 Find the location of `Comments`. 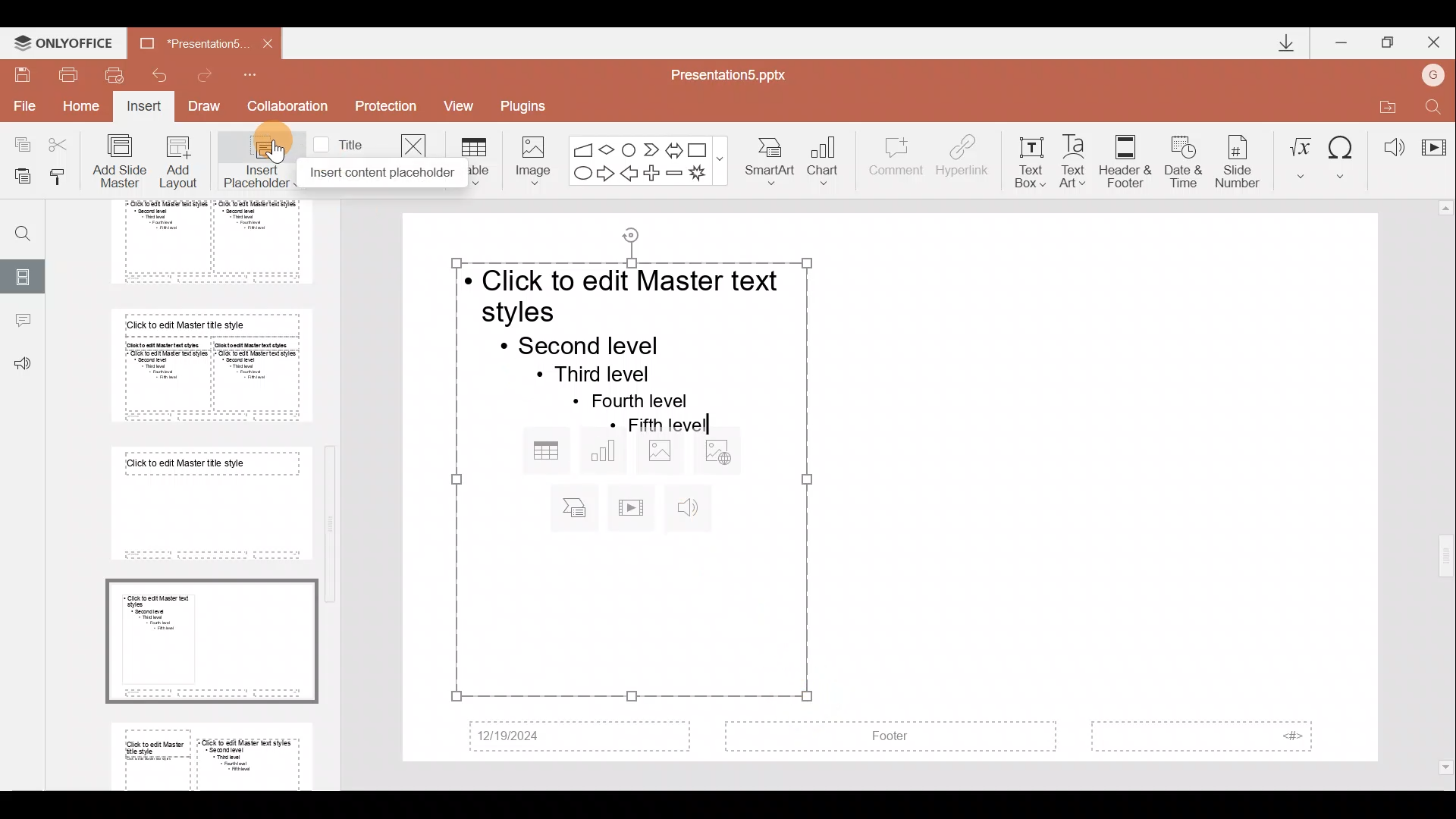

Comments is located at coordinates (22, 322).